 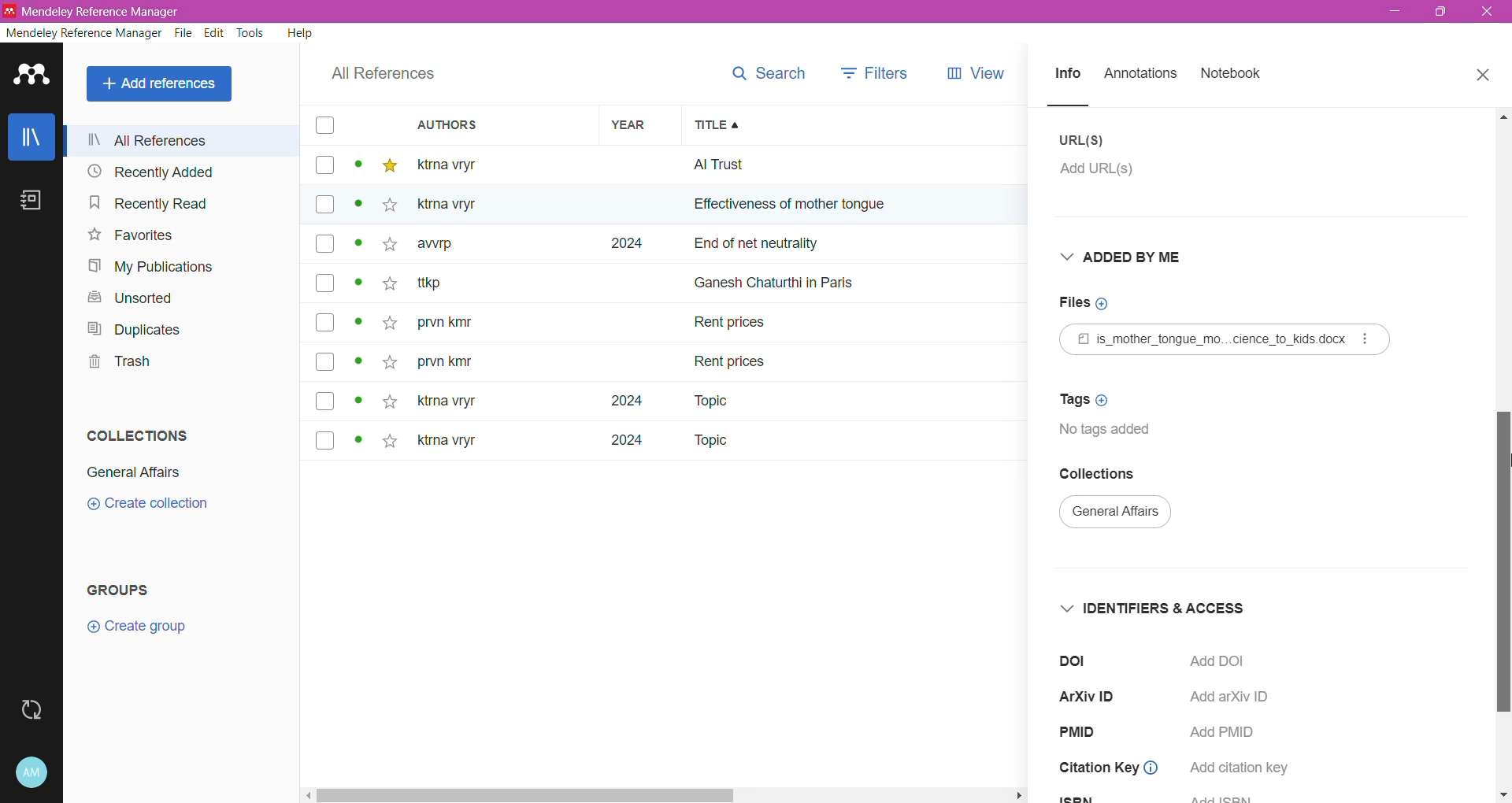 I want to click on star, so click(x=387, y=287).